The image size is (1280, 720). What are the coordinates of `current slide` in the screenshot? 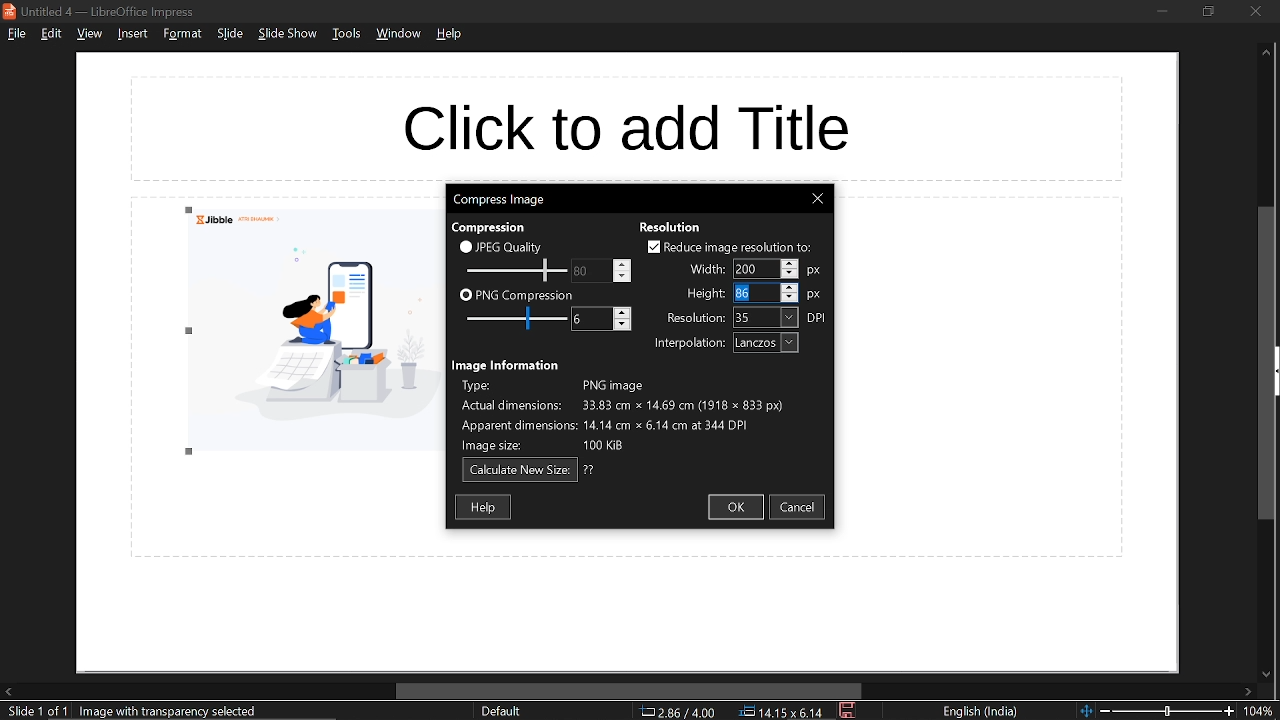 It's located at (34, 712).